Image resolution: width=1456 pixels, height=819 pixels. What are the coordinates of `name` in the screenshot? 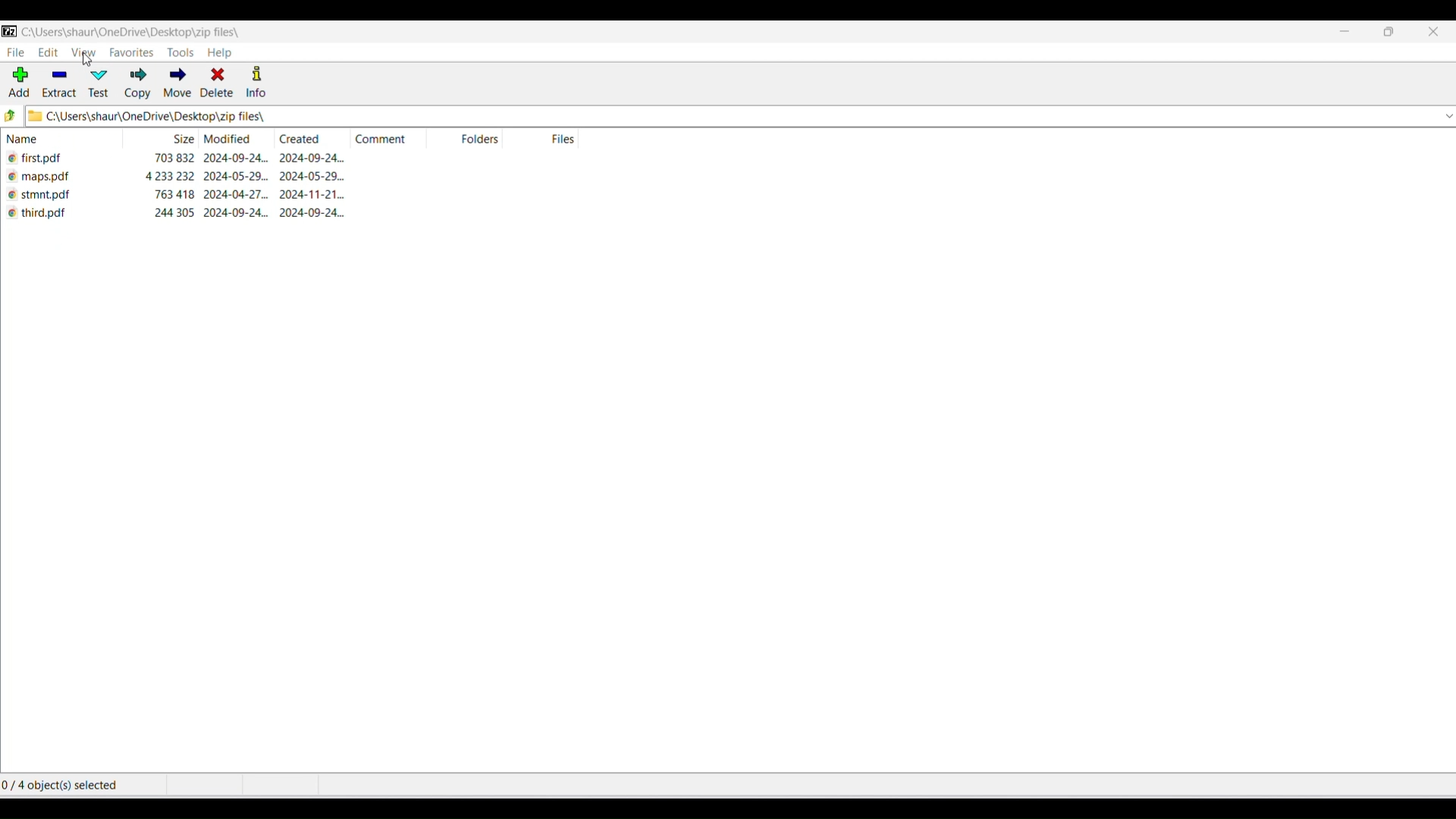 It's located at (69, 141).